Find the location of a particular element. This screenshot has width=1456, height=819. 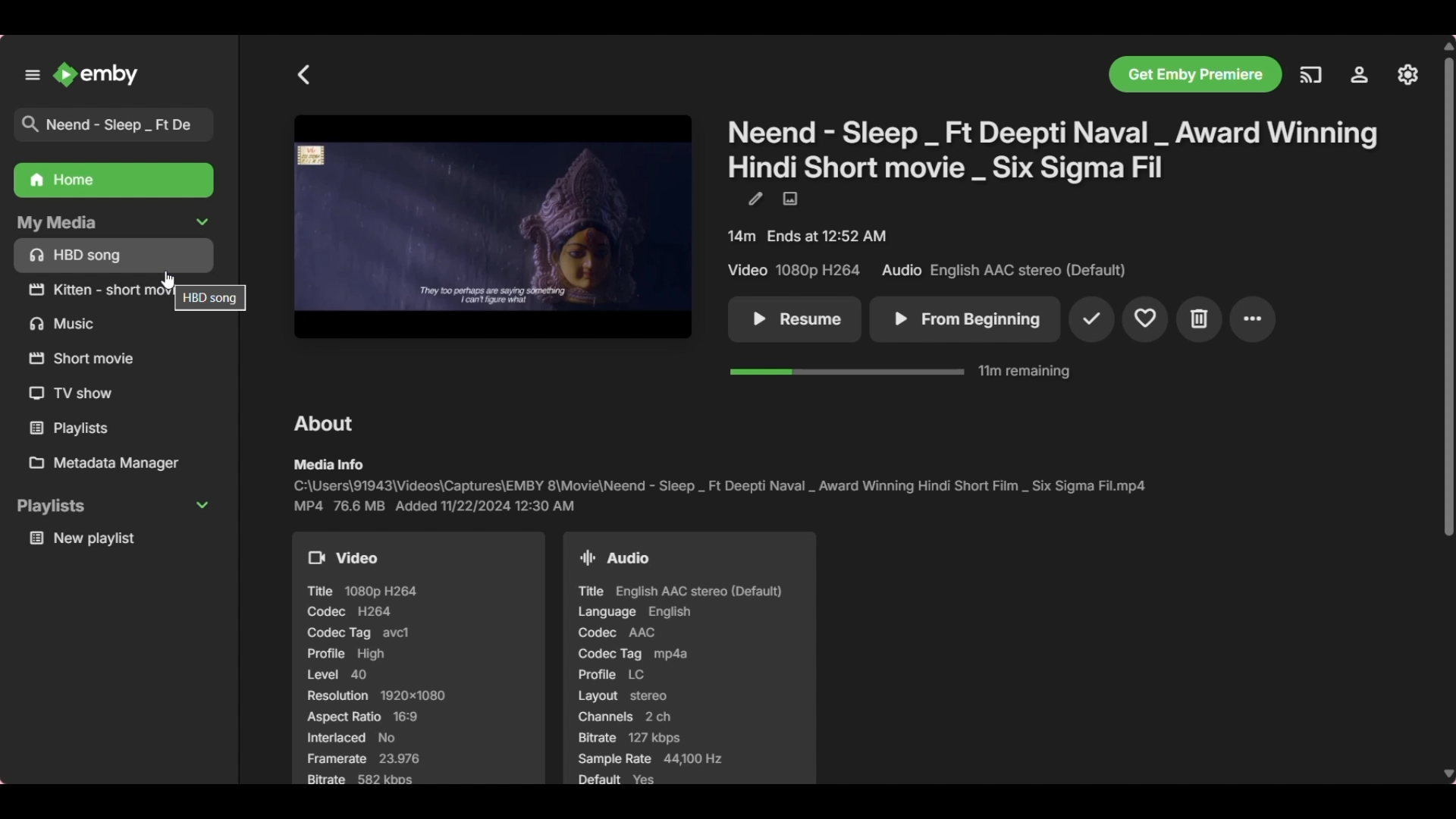

Title of selected search result is located at coordinates (1056, 149).